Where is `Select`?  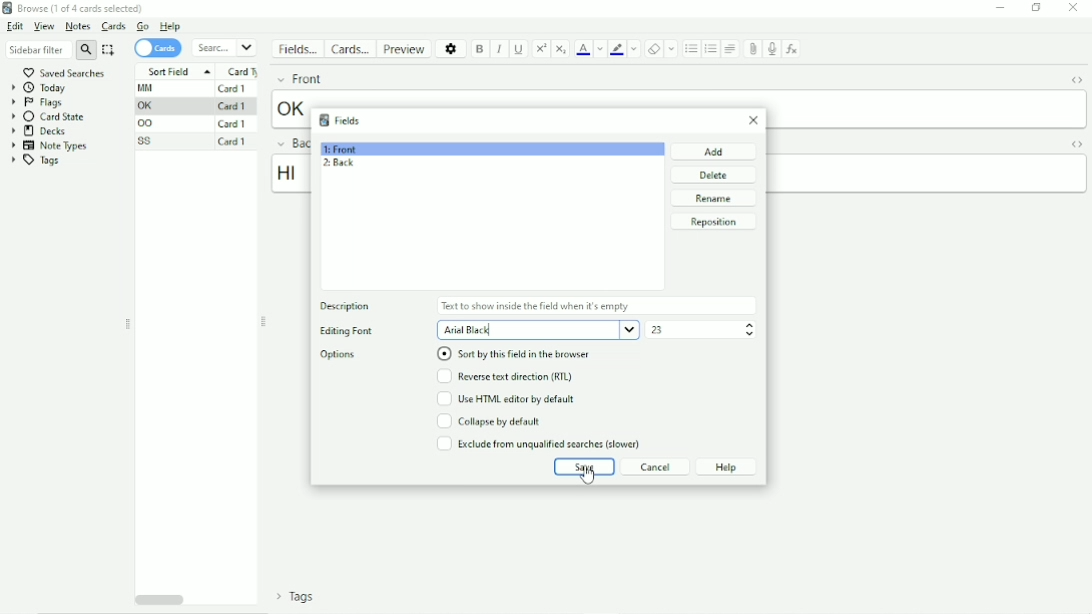 Select is located at coordinates (109, 50).